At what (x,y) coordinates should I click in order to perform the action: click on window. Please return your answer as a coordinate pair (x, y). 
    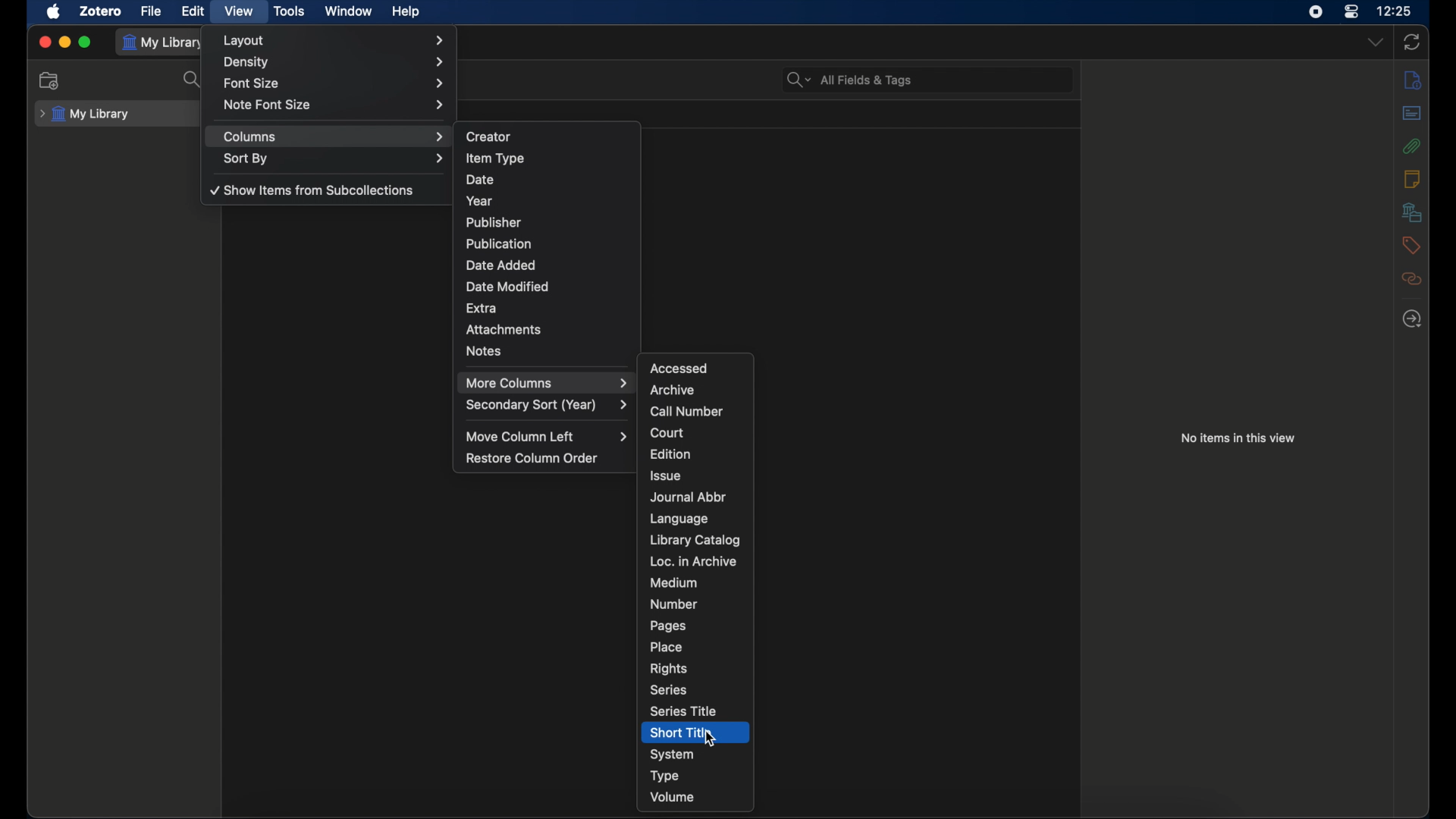
    Looking at the image, I should click on (349, 11).